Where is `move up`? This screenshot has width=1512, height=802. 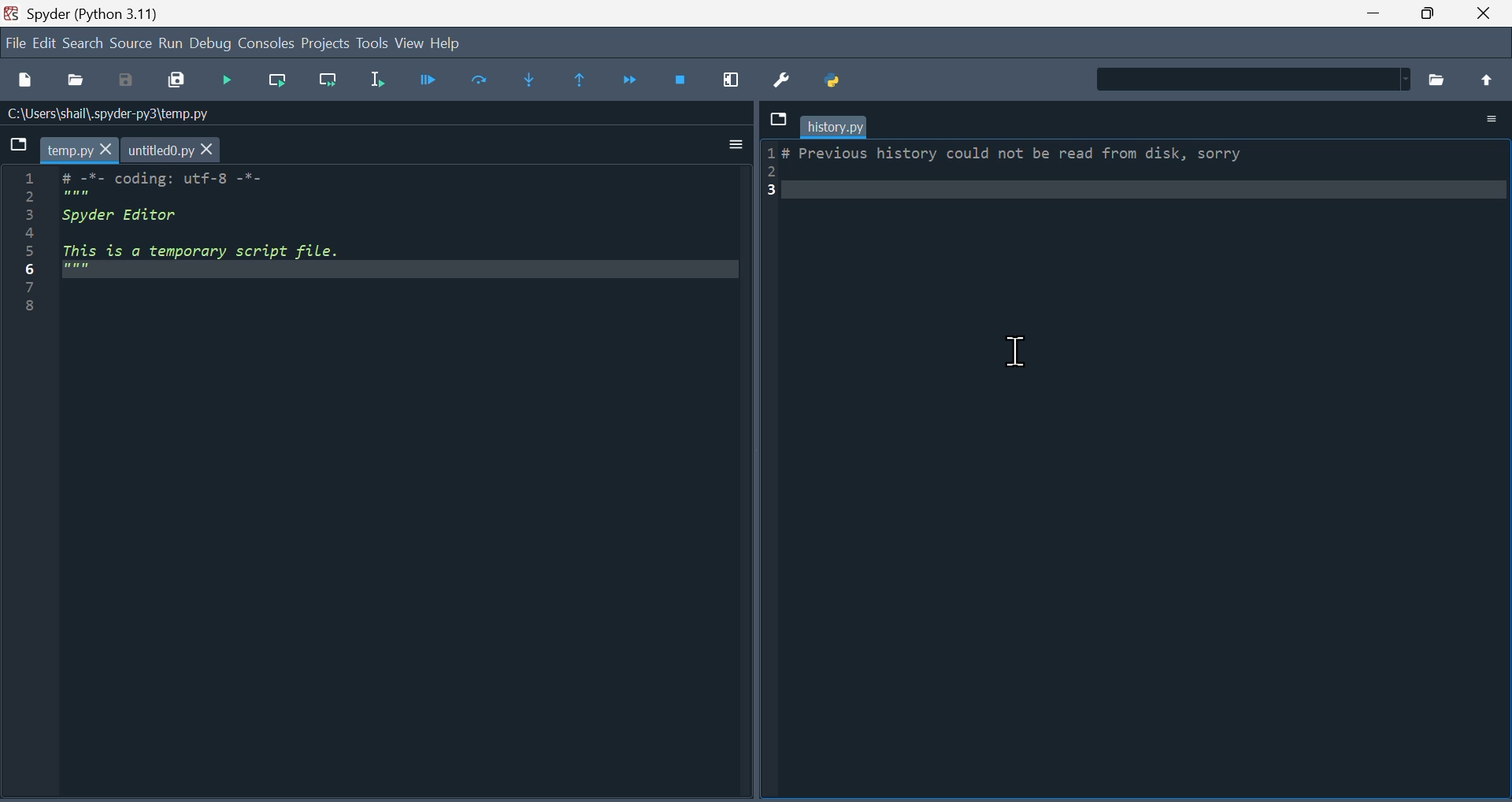 move up is located at coordinates (1487, 80).